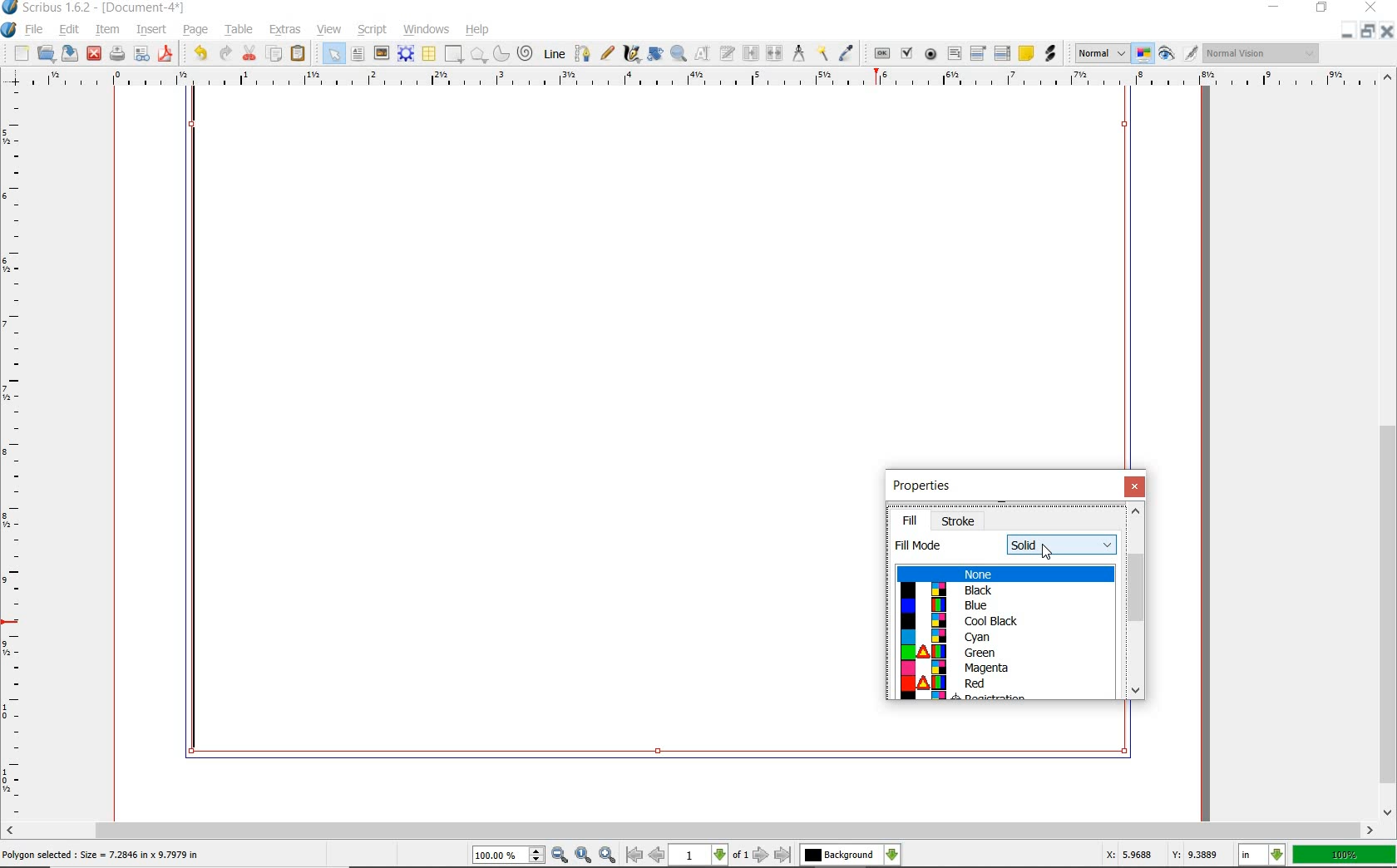  I want to click on go to previous page, so click(658, 856).